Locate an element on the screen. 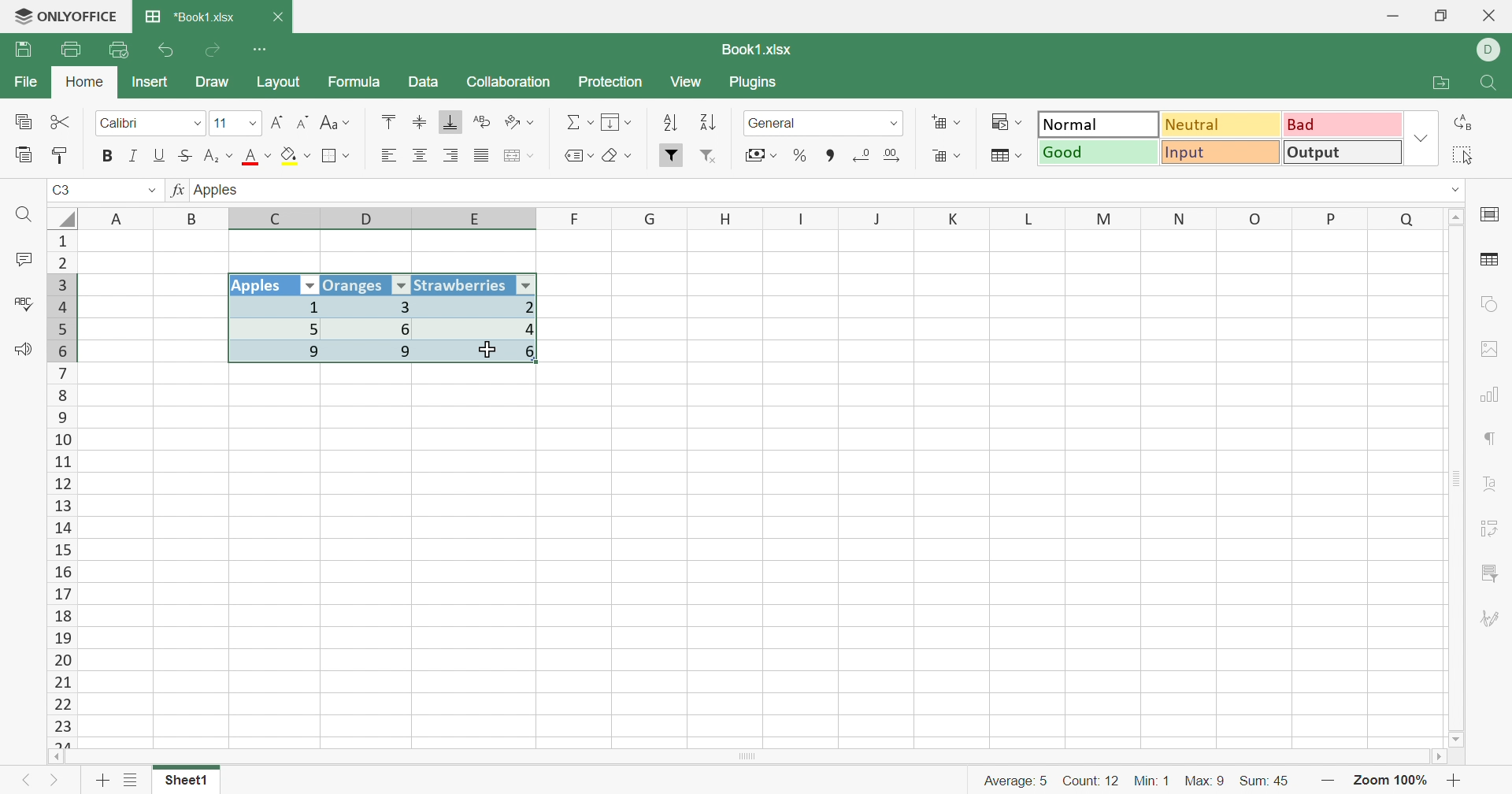 This screenshot has height=794, width=1512. Align Middle is located at coordinates (420, 123).